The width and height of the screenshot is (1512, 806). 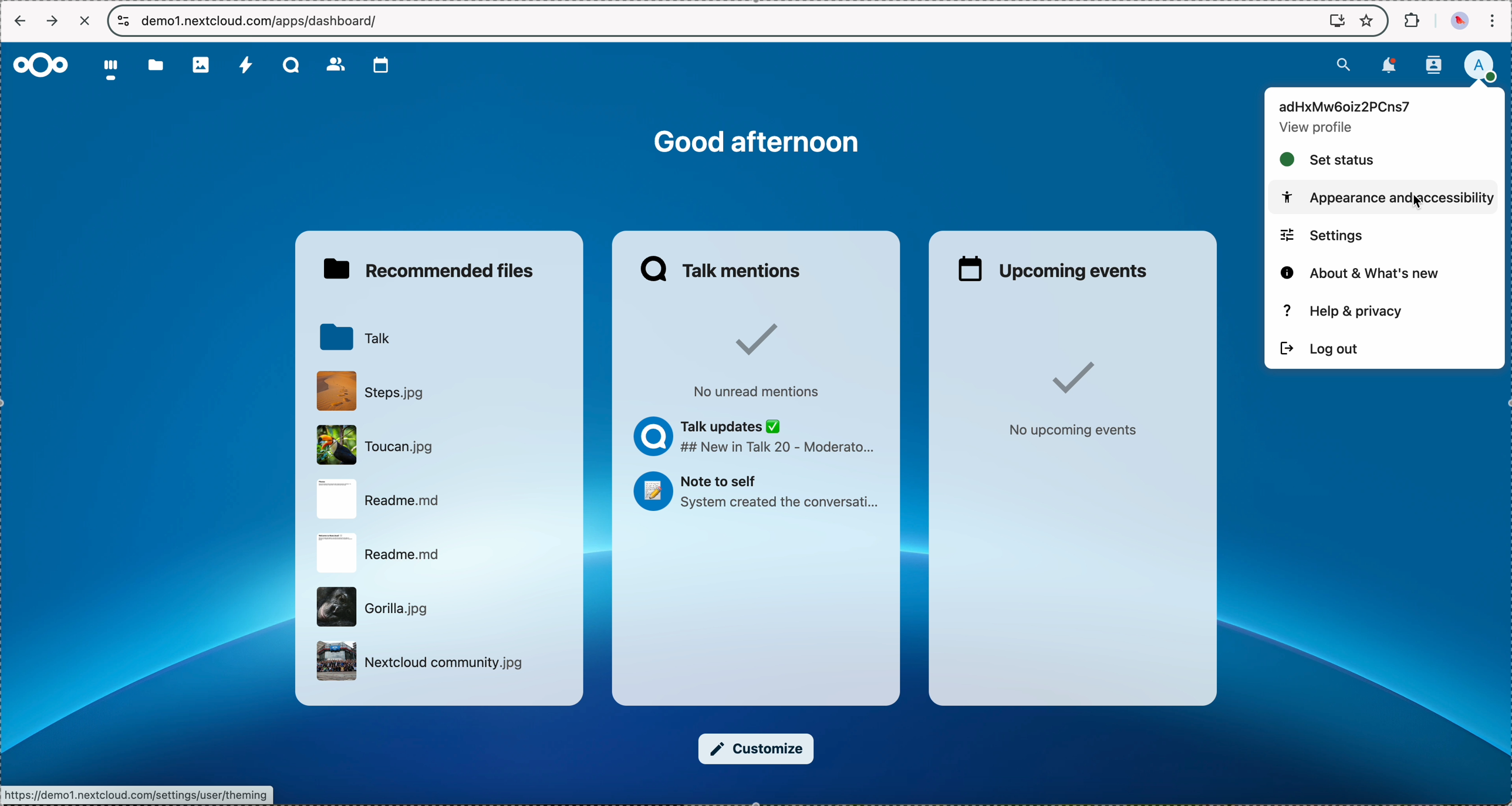 I want to click on contacts, so click(x=1433, y=65).